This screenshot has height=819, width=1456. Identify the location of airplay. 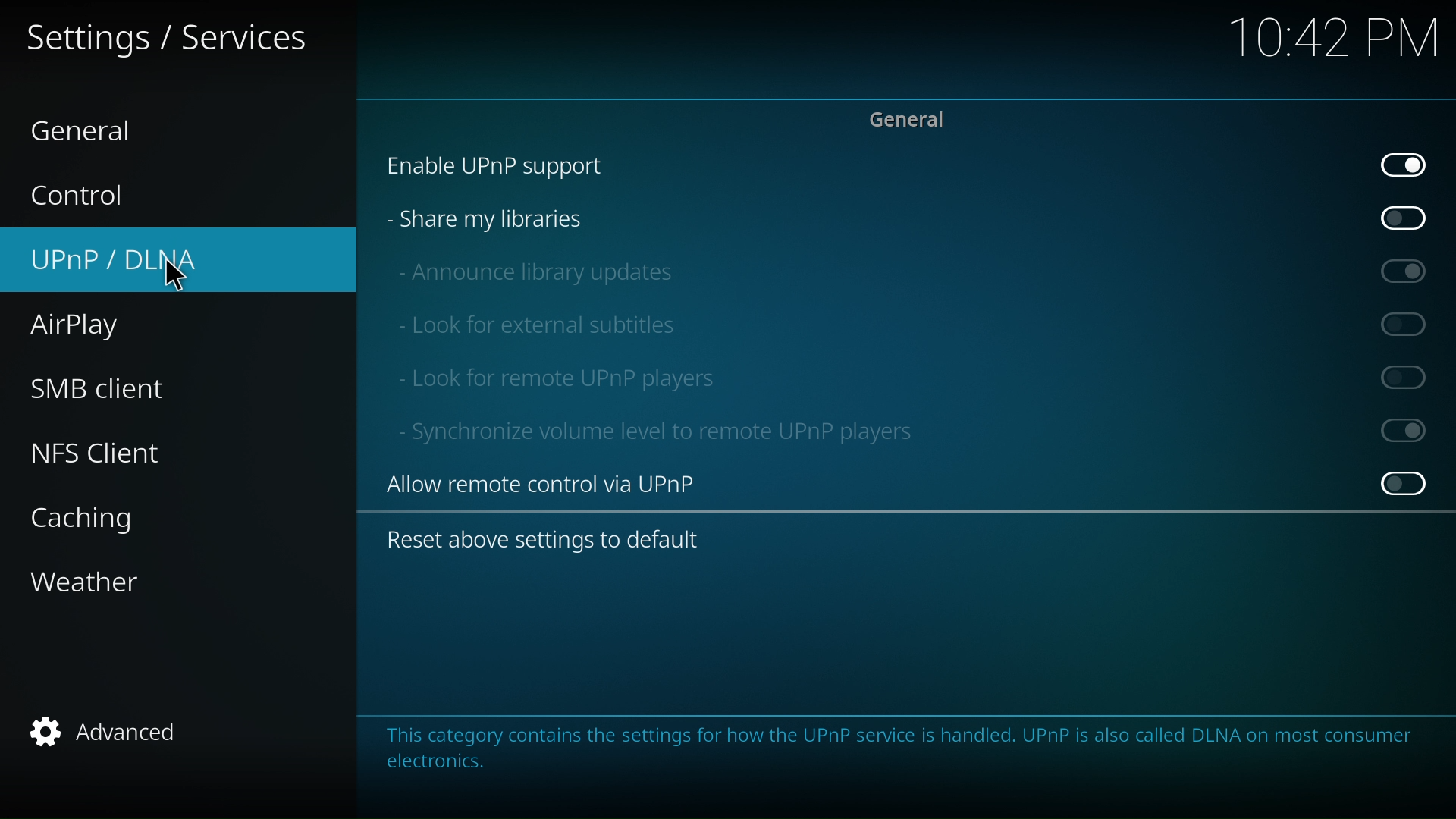
(77, 326).